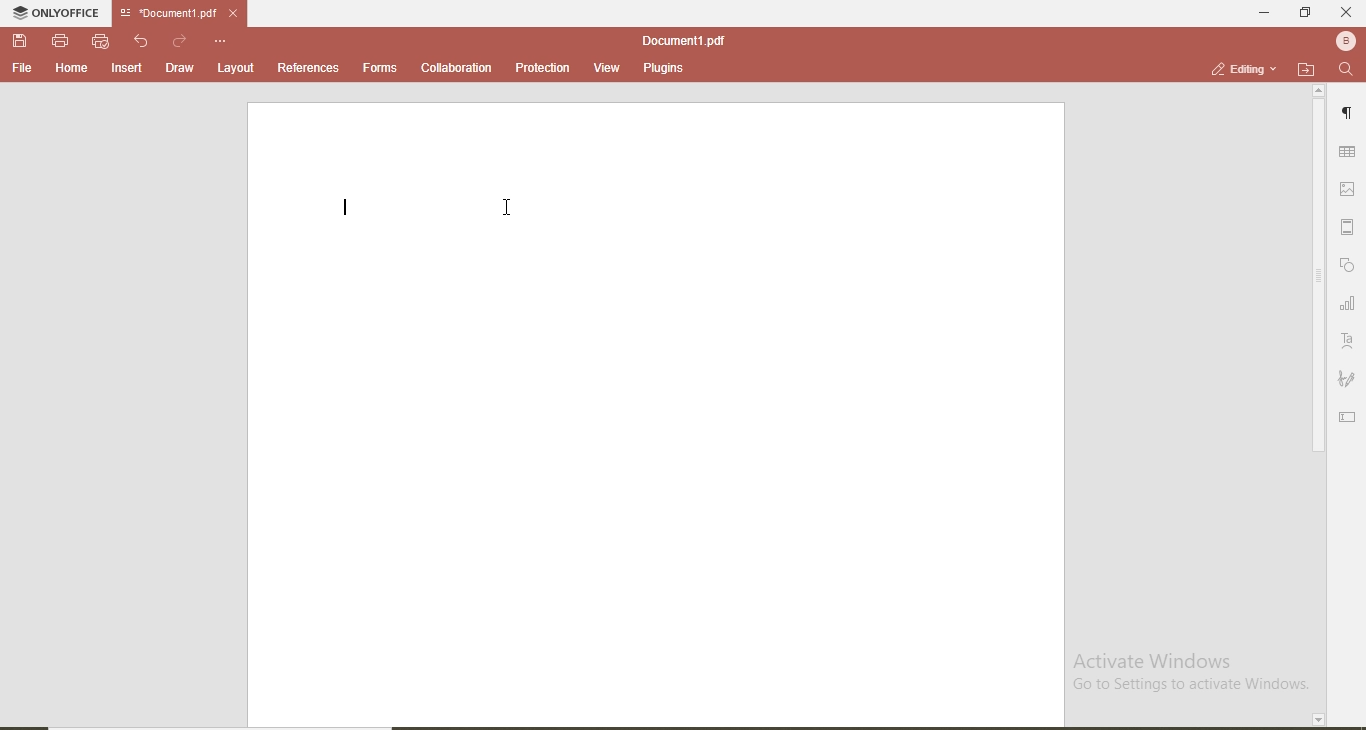 This screenshot has width=1366, height=730. What do you see at coordinates (140, 40) in the screenshot?
I see `undo` at bounding box center [140, 40].